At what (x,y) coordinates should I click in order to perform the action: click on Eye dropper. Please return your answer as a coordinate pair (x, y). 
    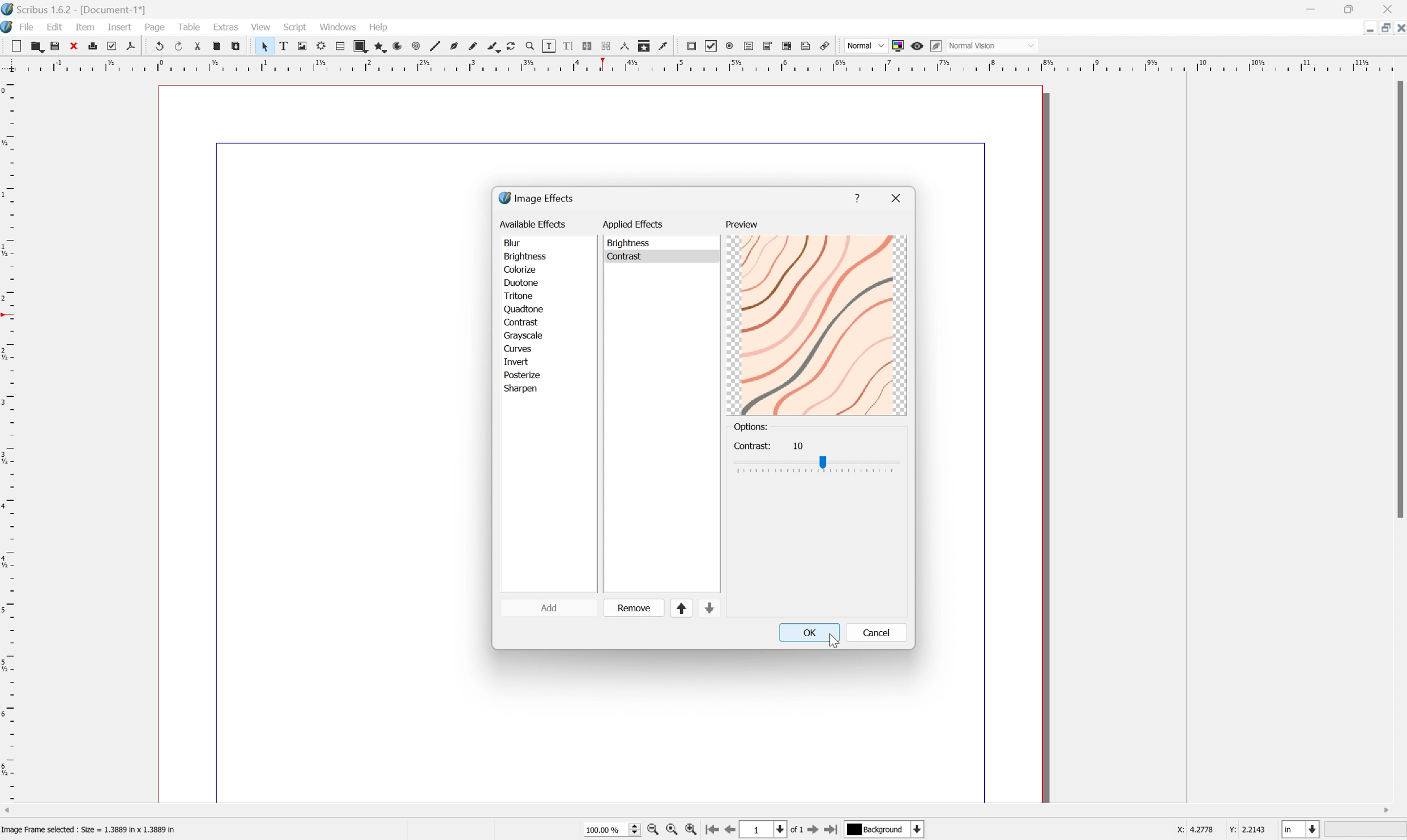
    Looking at the image, I should click on (667, 48).